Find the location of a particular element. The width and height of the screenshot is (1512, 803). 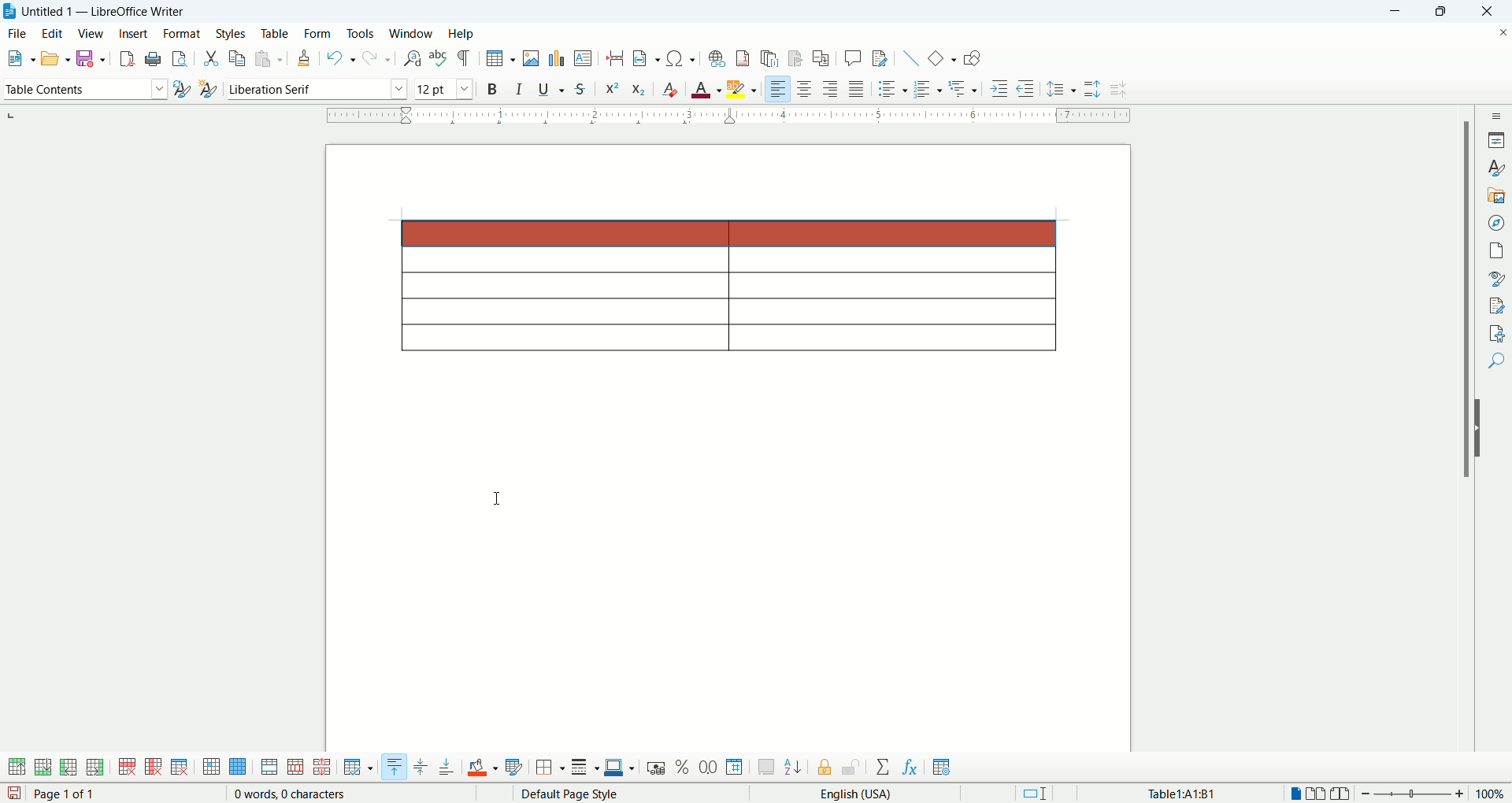

book view is located at coordinates (1343, 794).